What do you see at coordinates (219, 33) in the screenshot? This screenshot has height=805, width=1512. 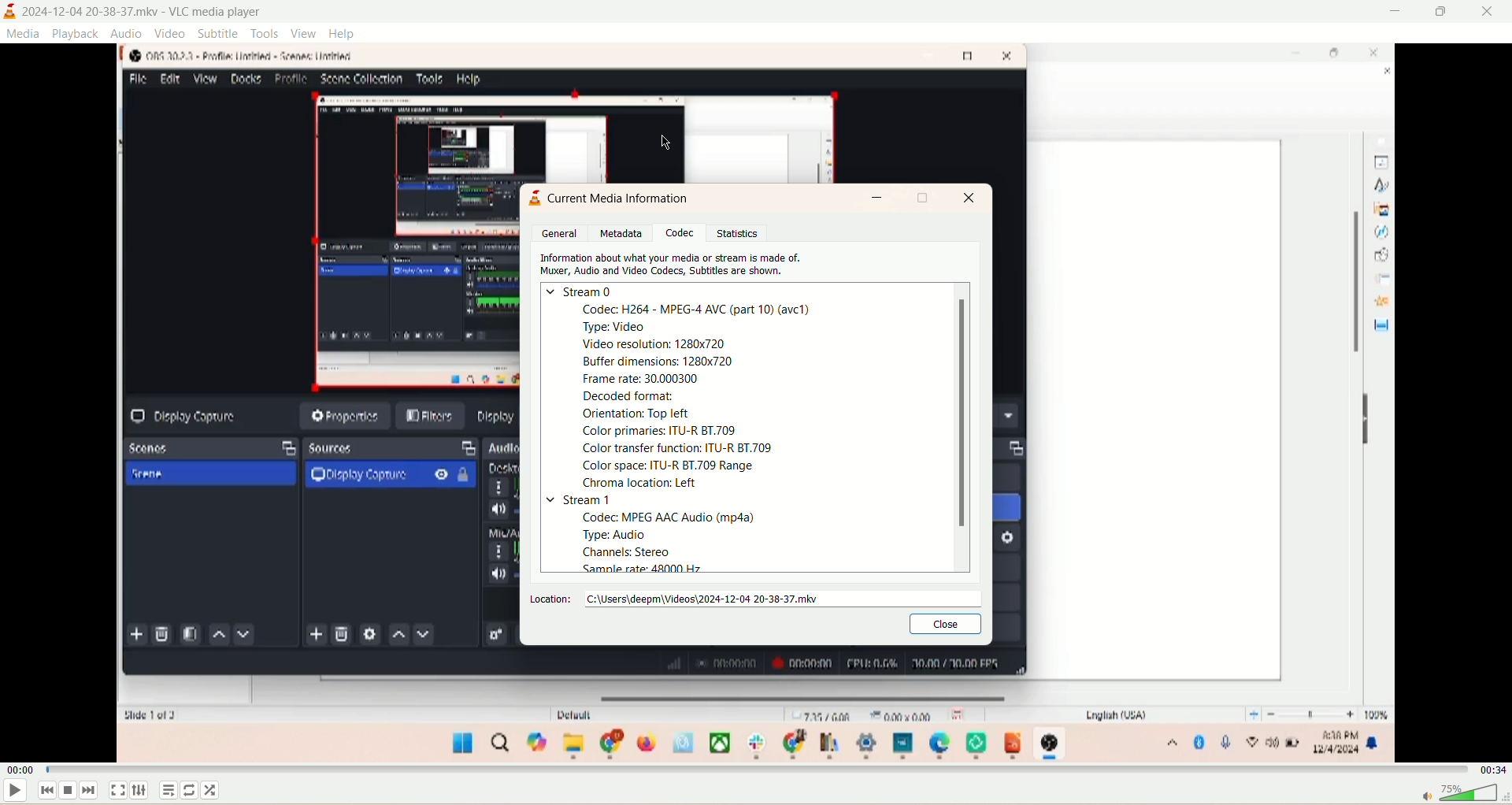 I see `subtitle` at bounding box center [219, 33].